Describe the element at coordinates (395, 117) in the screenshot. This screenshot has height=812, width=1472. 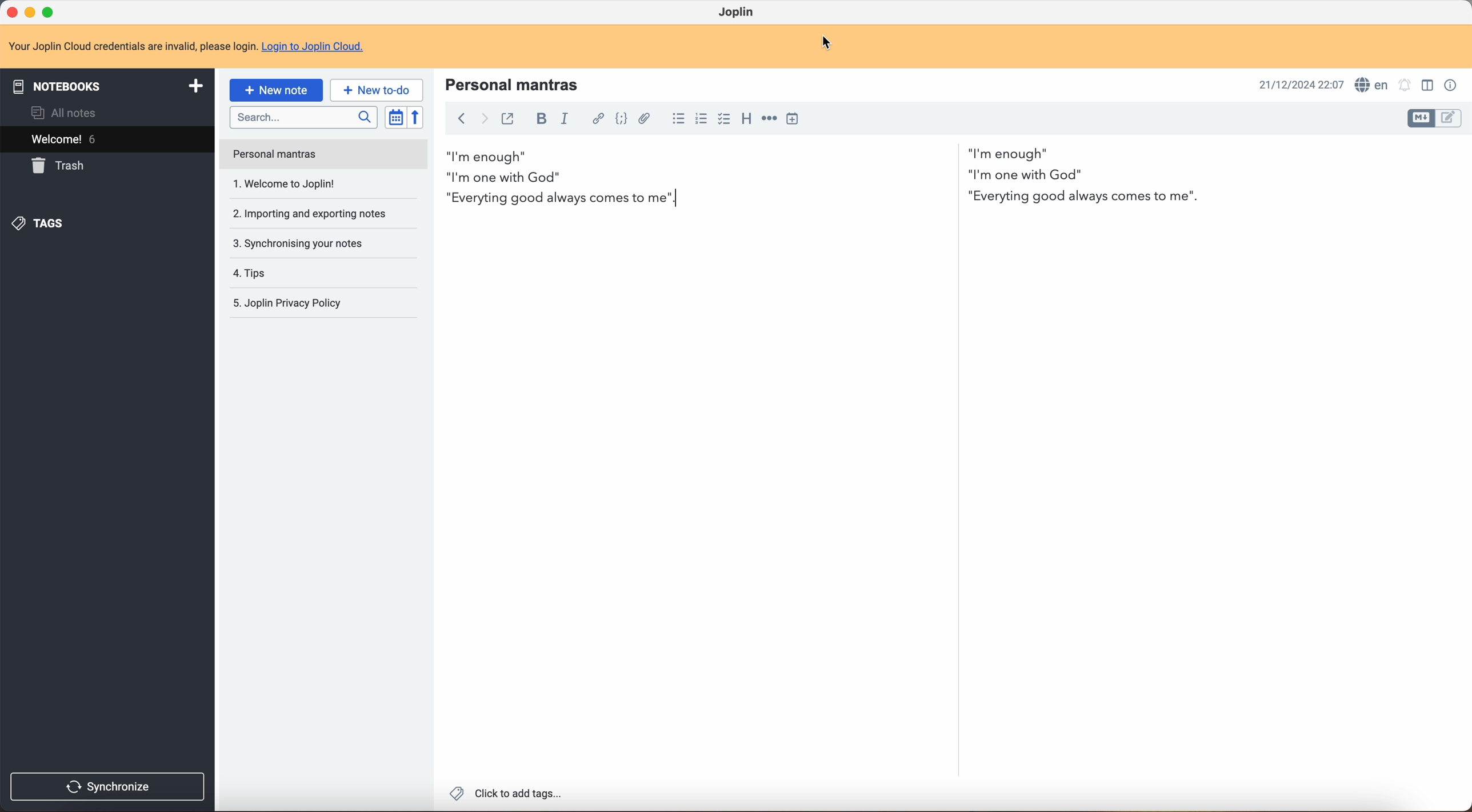
I see `toggle sort order field` at that location.